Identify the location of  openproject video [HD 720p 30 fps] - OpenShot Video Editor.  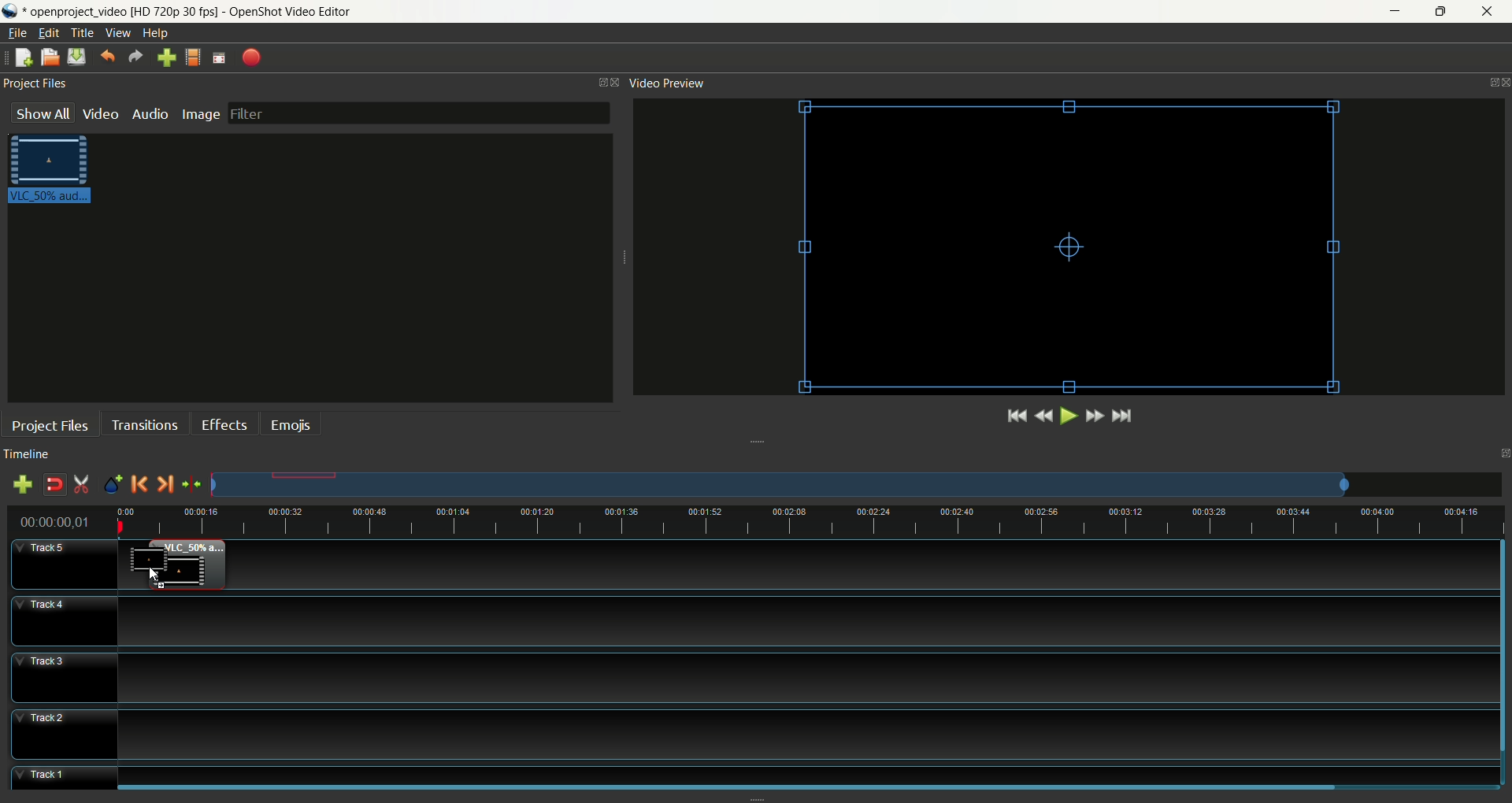
(189, 11).